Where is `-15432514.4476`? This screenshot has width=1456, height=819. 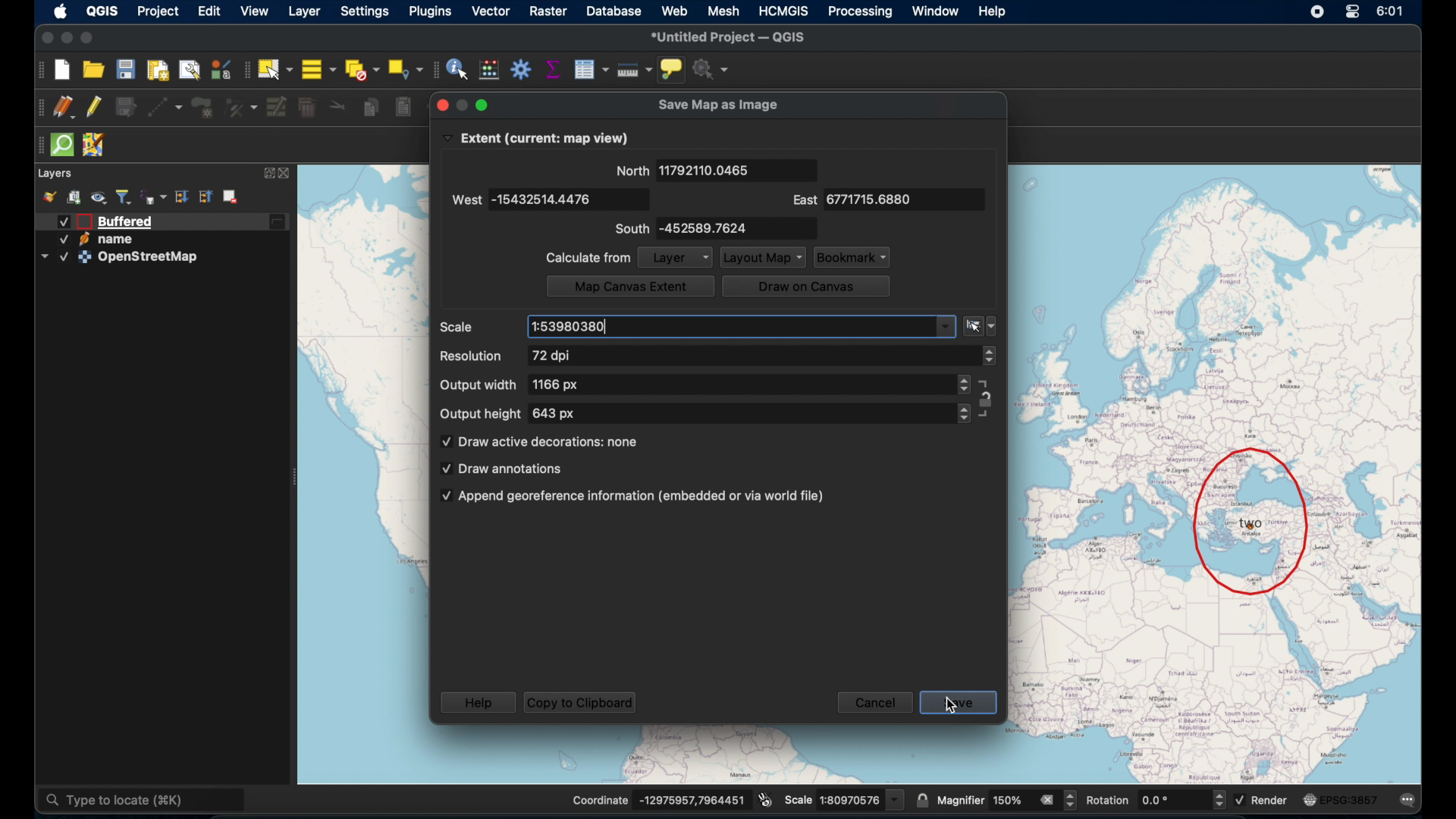
-15432514.4476 is located at coordinates (573, 199).